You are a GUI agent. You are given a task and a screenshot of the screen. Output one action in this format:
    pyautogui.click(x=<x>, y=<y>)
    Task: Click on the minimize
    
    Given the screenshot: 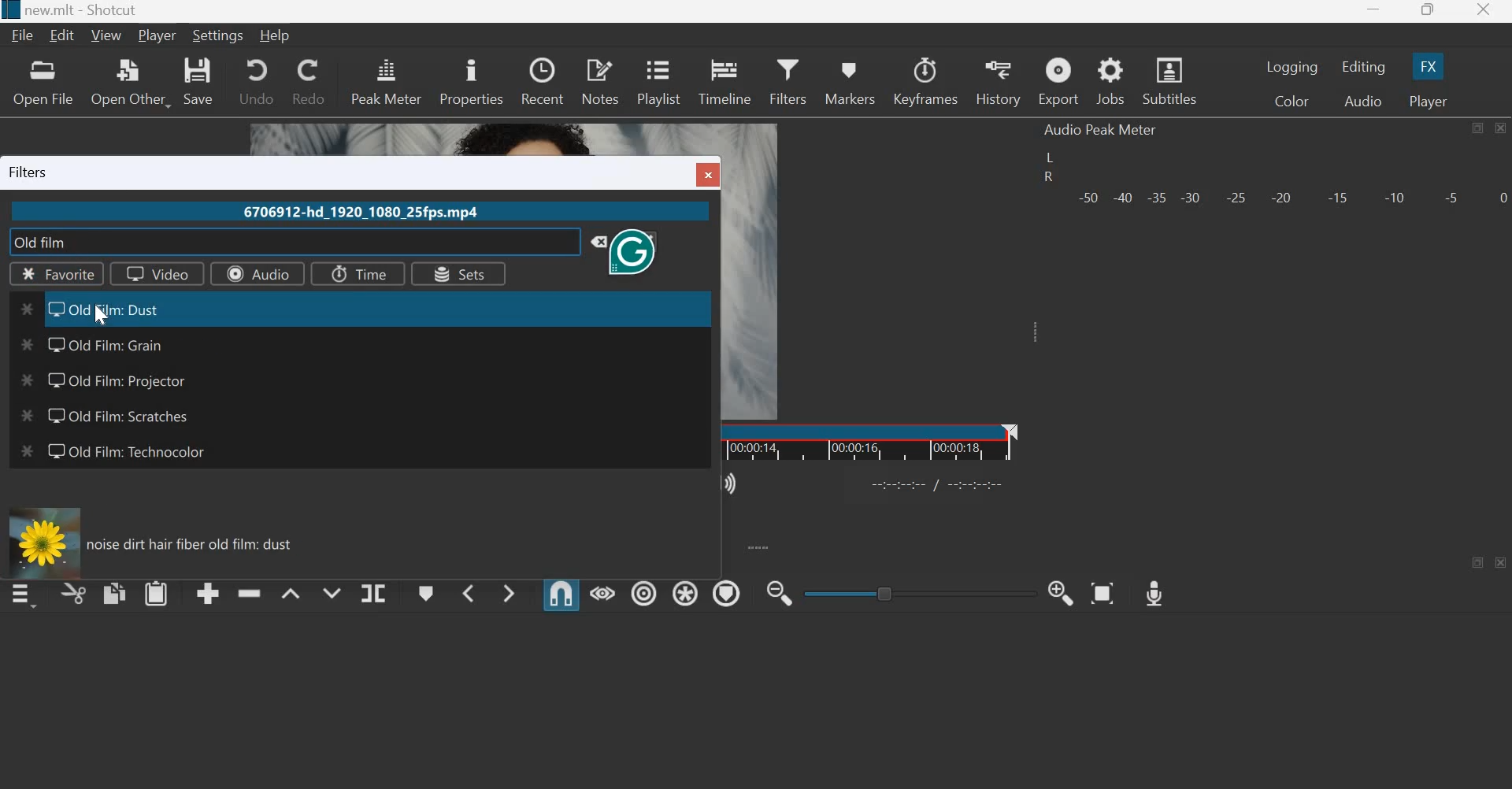 What is the action you would take?
    pyautogui.click(x=1373, y=13)
    